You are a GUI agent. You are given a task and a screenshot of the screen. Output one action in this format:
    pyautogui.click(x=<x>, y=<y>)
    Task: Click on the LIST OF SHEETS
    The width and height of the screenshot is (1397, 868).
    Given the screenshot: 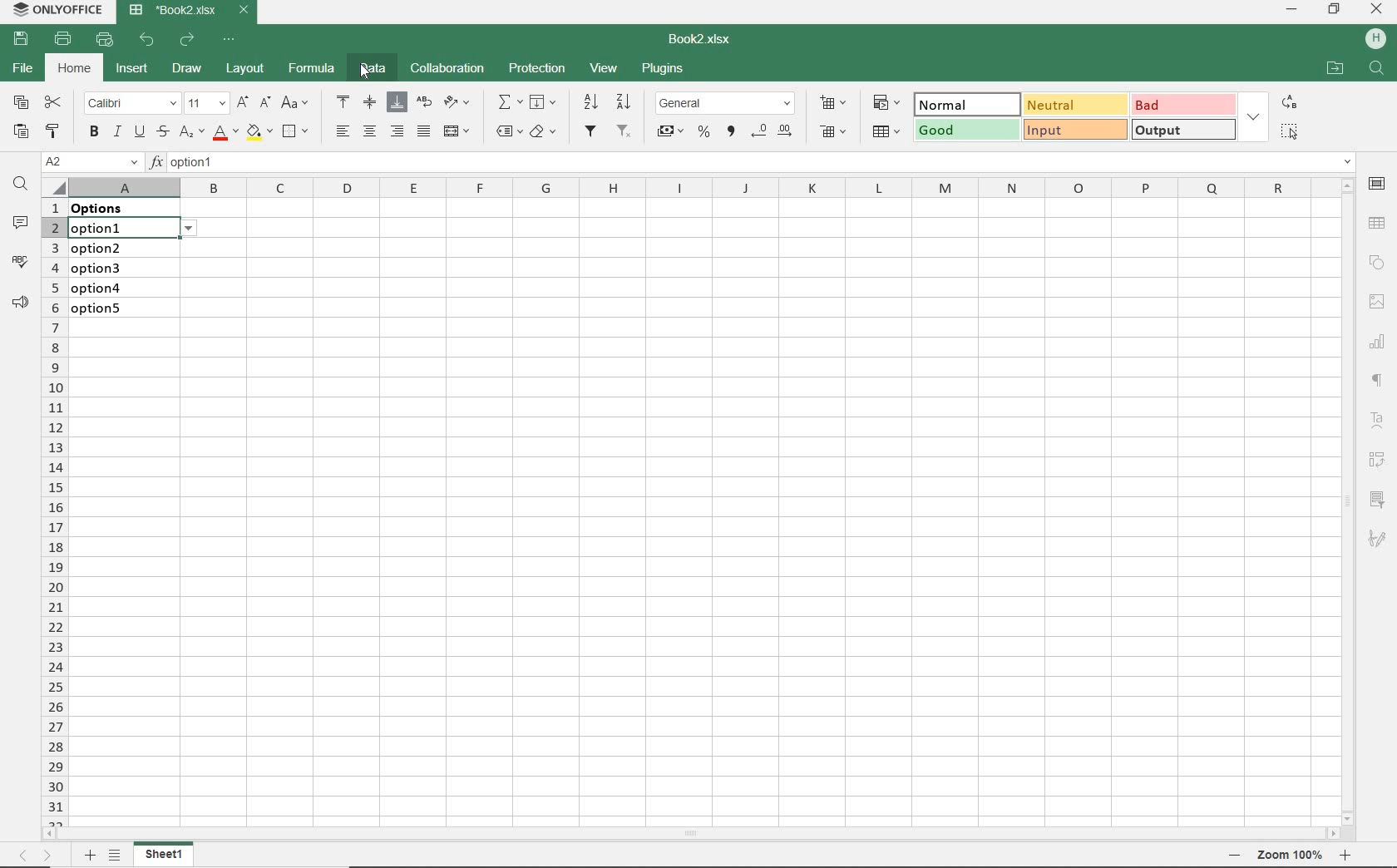 What is the action you would take?
    pyautogui.click(x=114, y=856)
    